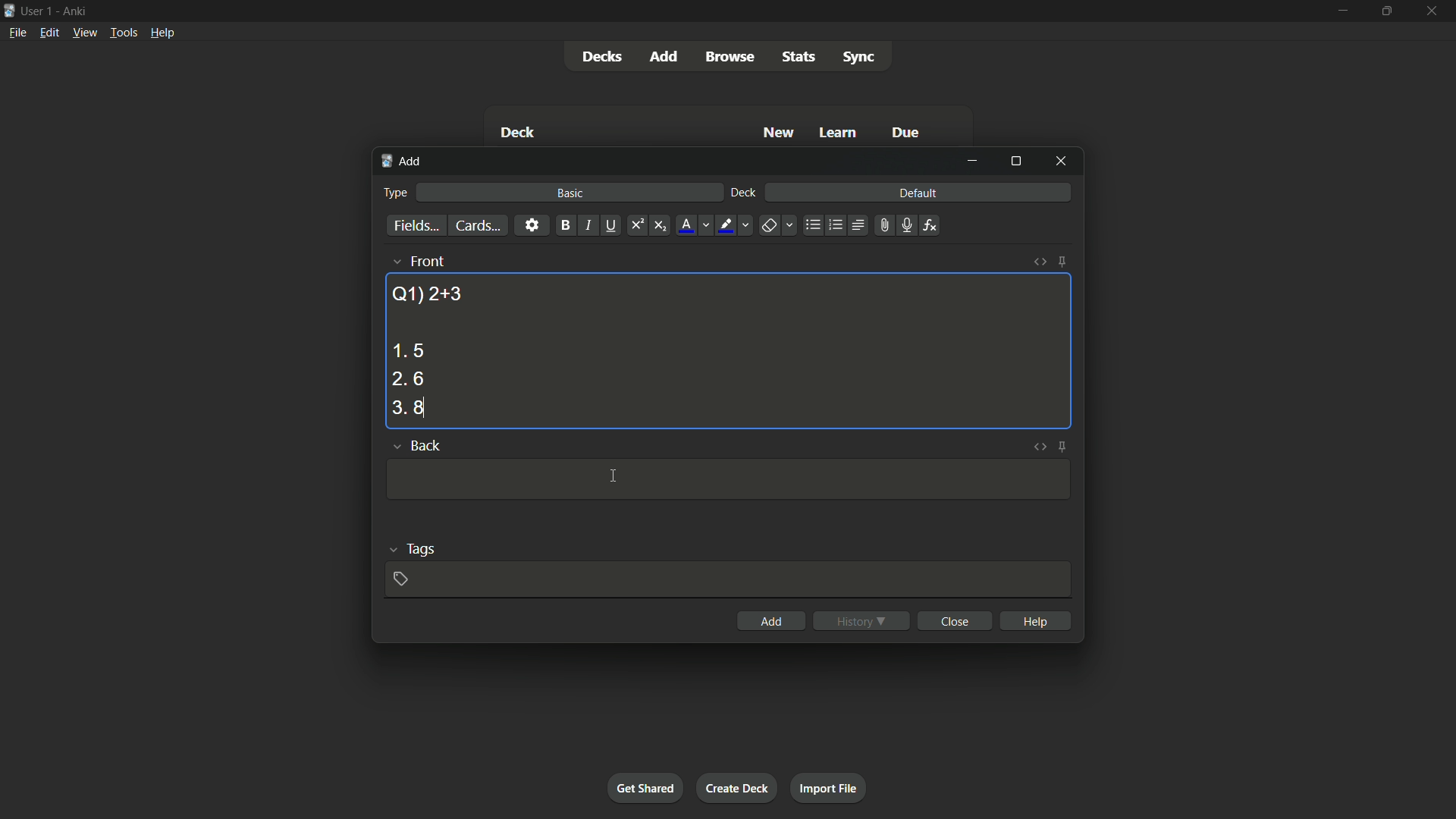 Image resolution: width=1456 pixels, height=819 pixels. I want to click on tags, so click(422, 548).